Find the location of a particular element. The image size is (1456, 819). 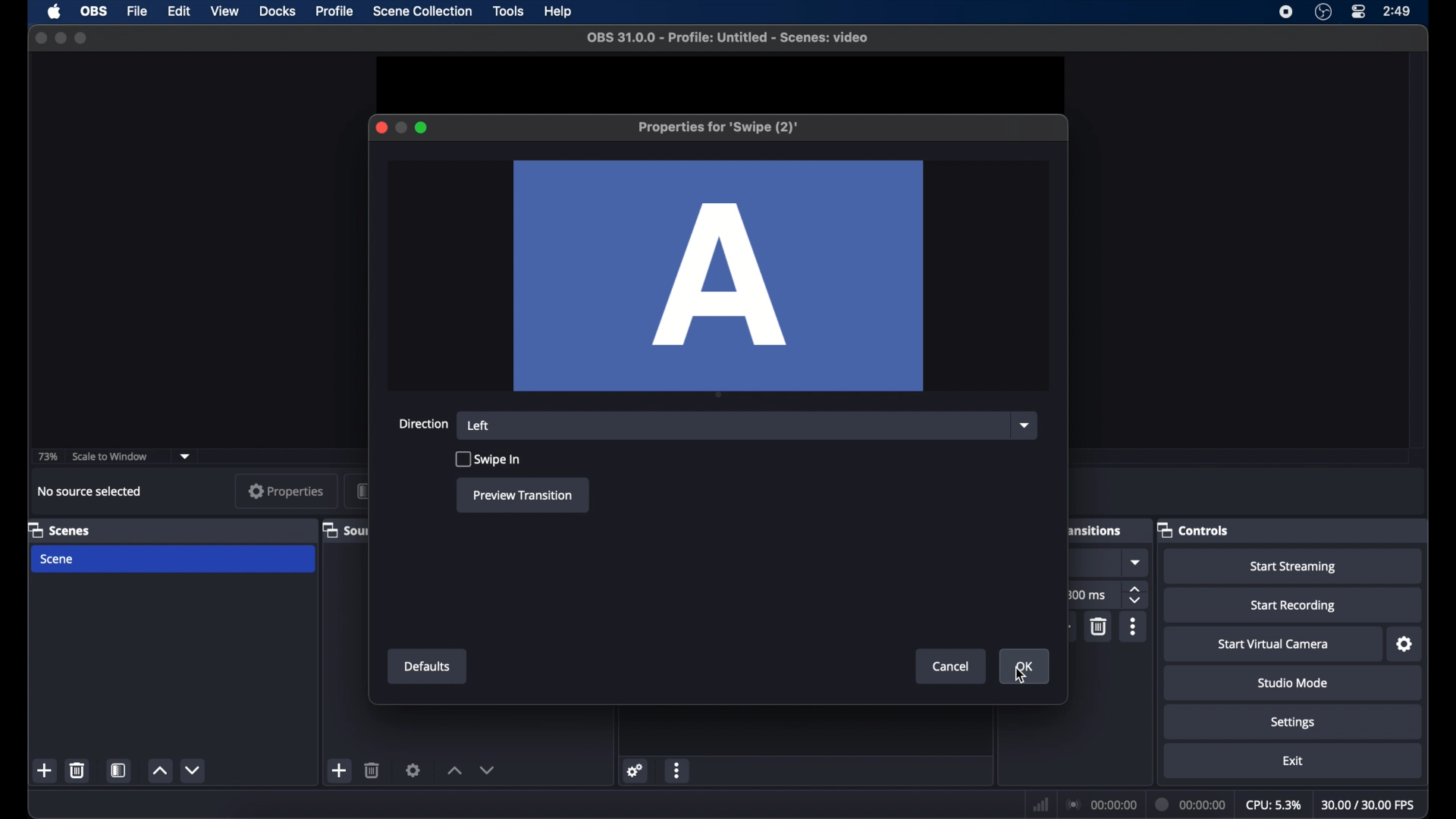

profile is located at coordinates (335, 11).